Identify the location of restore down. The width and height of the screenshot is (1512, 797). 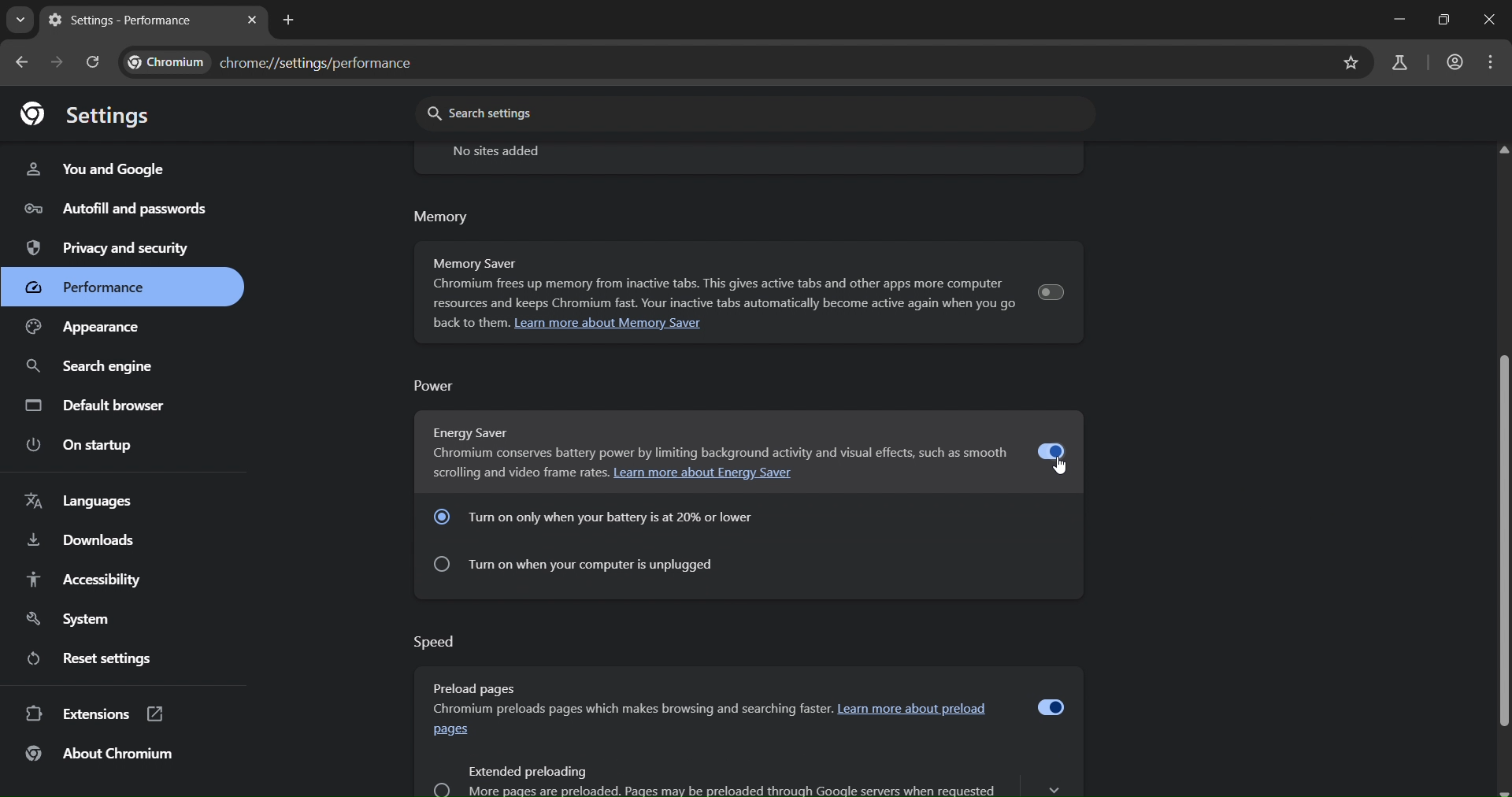
(1443, 19).